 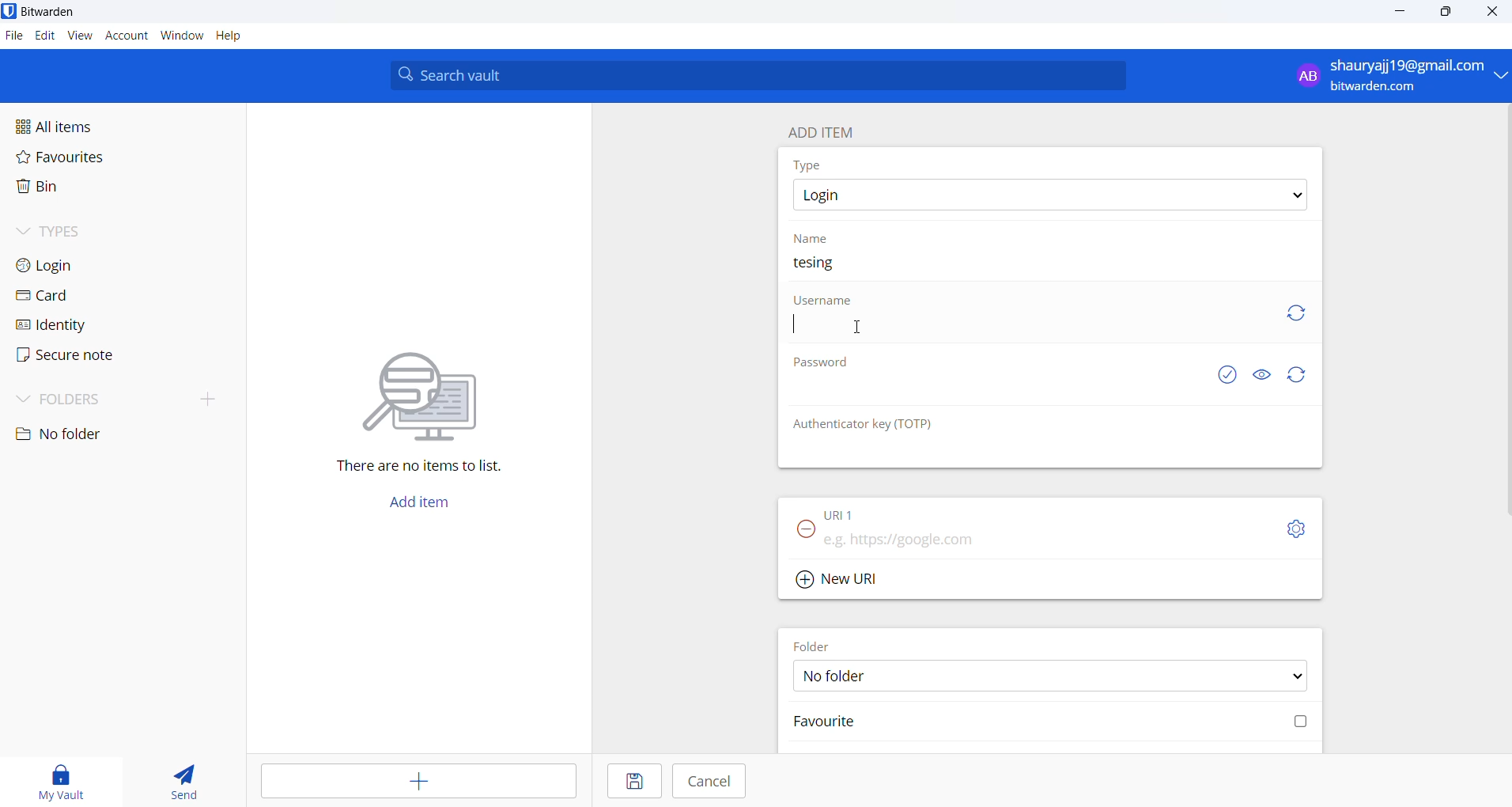 I want to click on type, so click(x=811, y=166).